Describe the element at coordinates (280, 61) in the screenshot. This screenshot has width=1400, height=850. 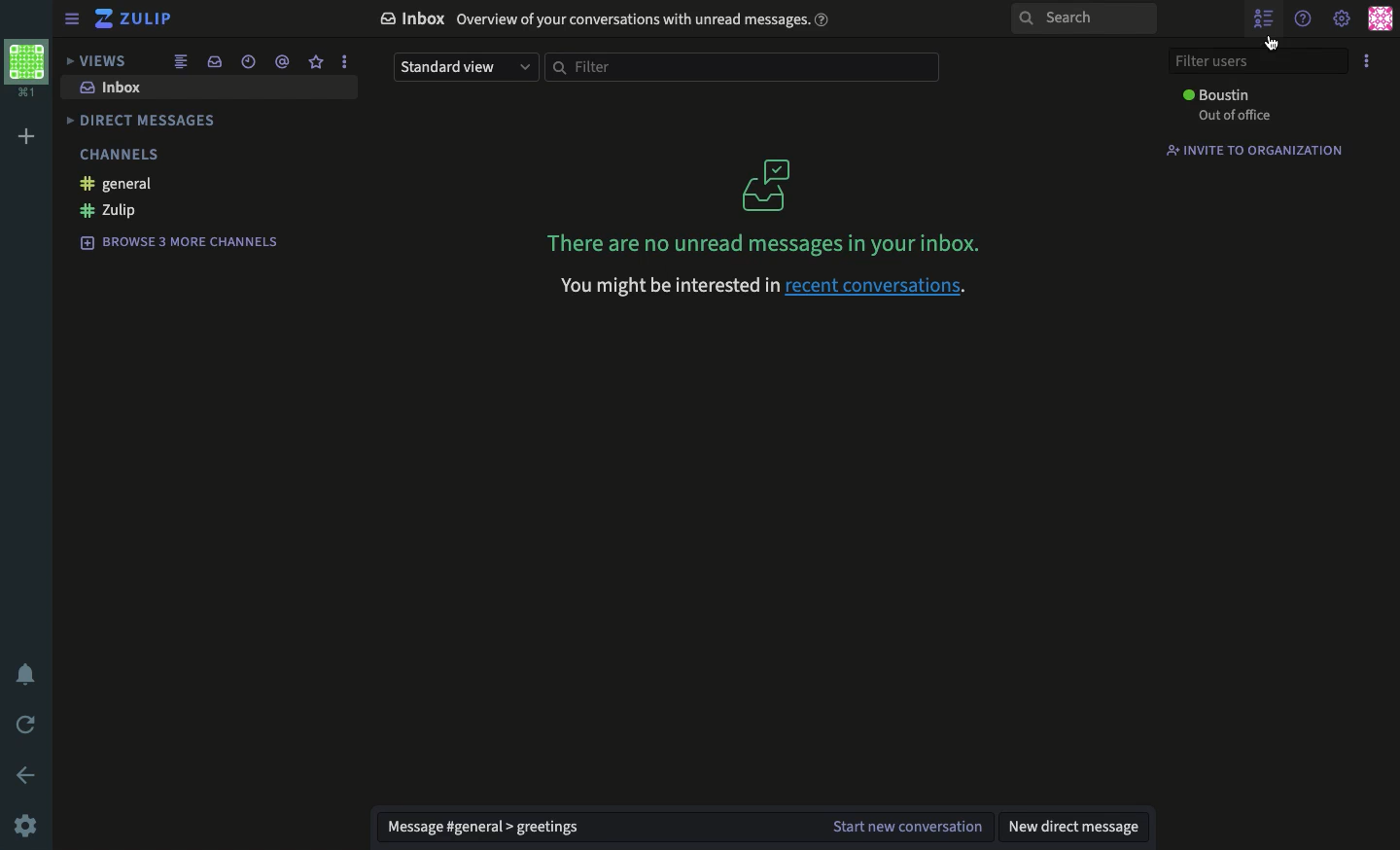
I see `mention` at that location.